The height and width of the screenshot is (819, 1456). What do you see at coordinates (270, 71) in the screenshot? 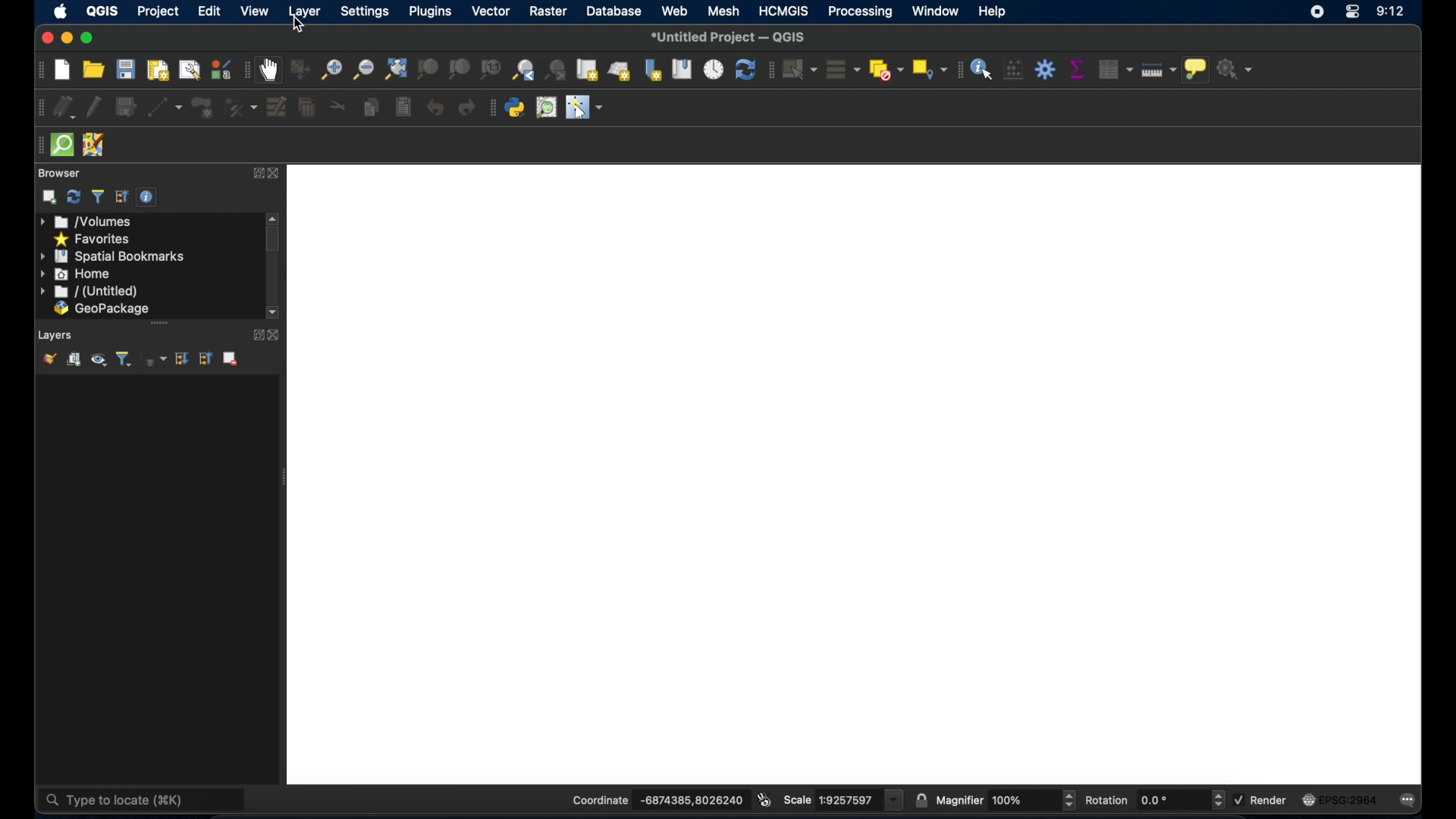
I see `pan map` at bounding box center [270, 71].